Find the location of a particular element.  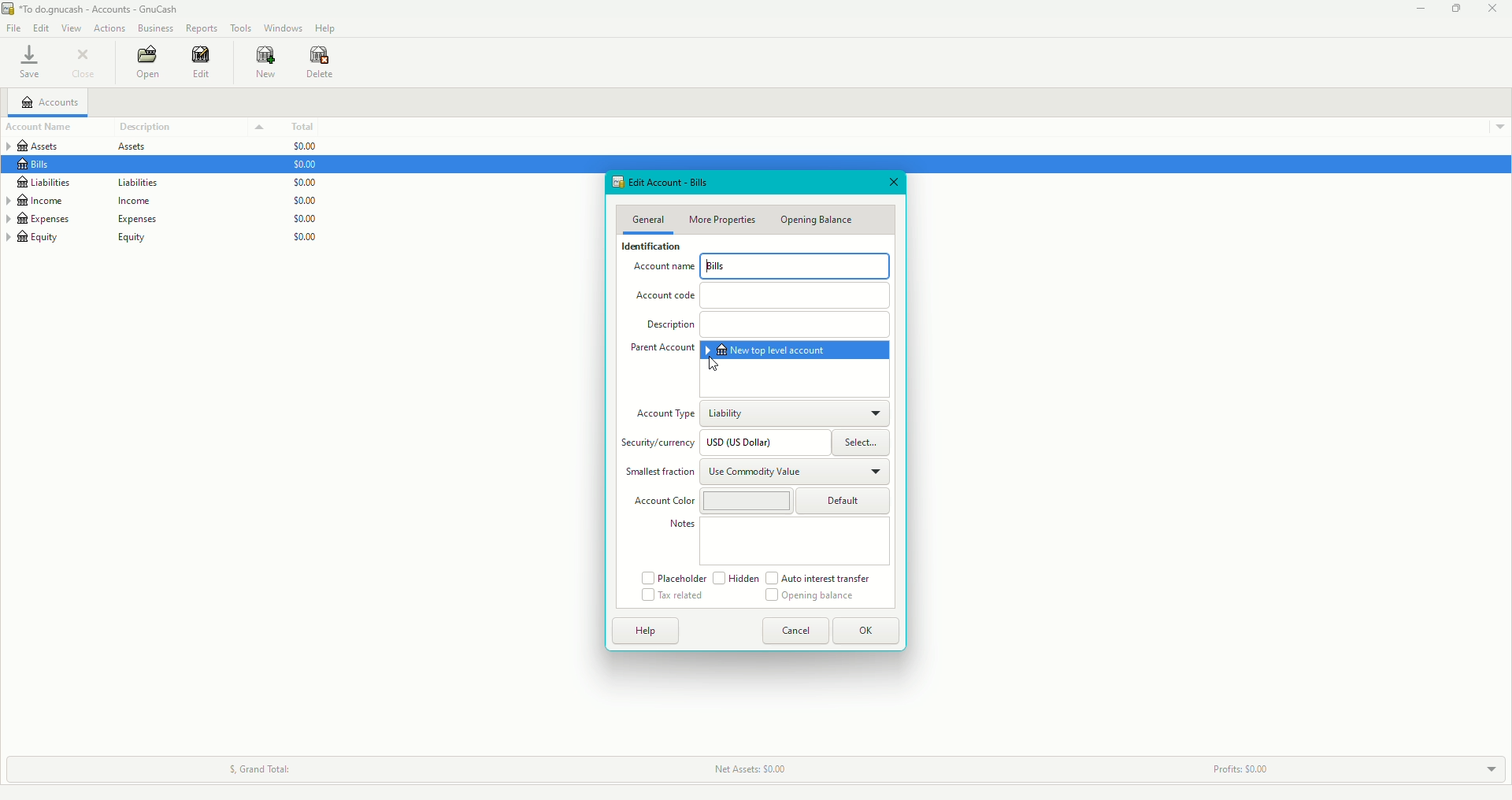

Security/currency is located at coordinates (661, 443).